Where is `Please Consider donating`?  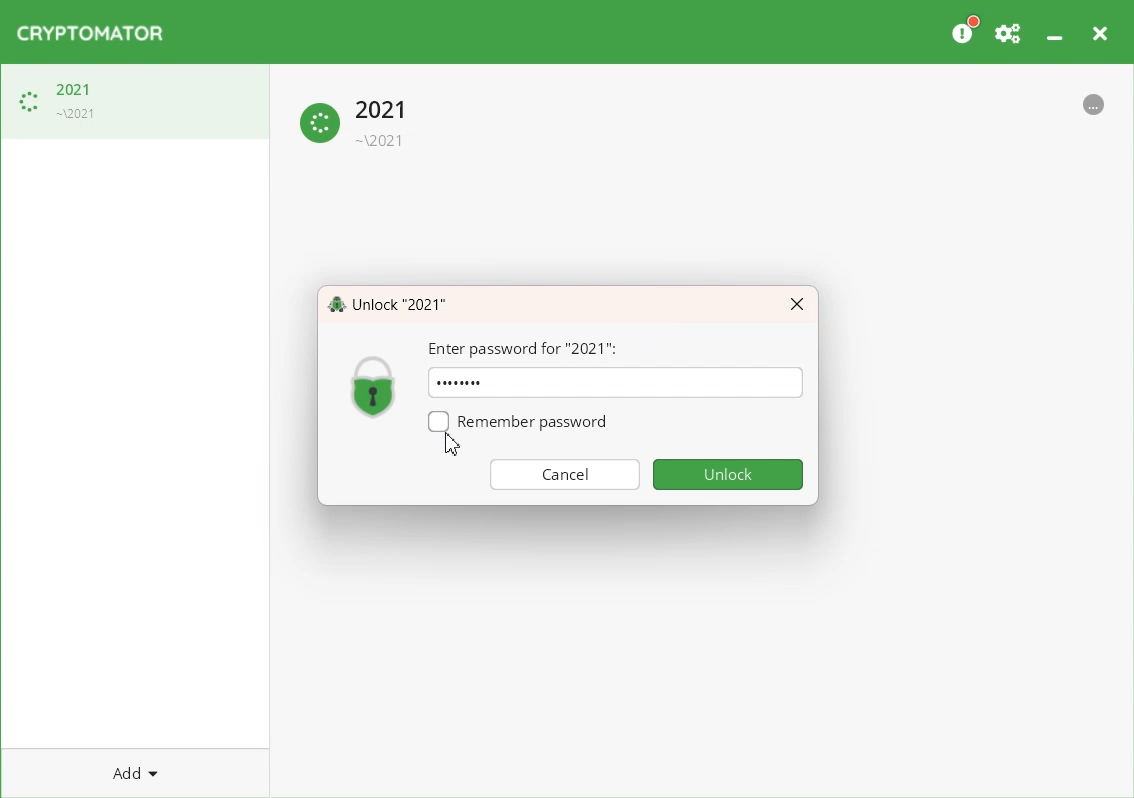 Please Consider donating is located at coordinates (964, 30).